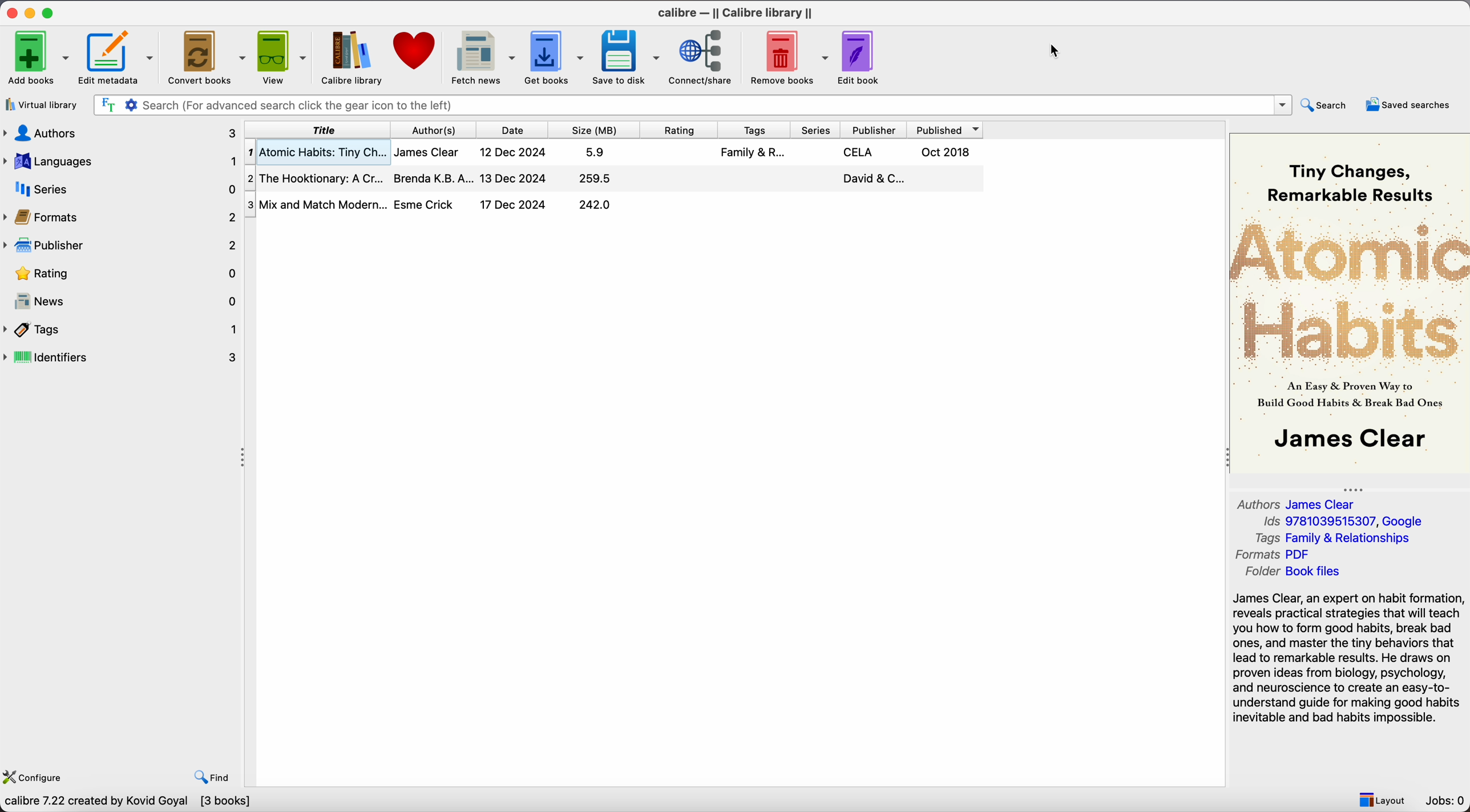 Image resolution: width=1470 pixels, height=812 pixels. What do you see at coordinates (122, 298) in the screenshot?
I see `news` at bounding box center [122, 298].